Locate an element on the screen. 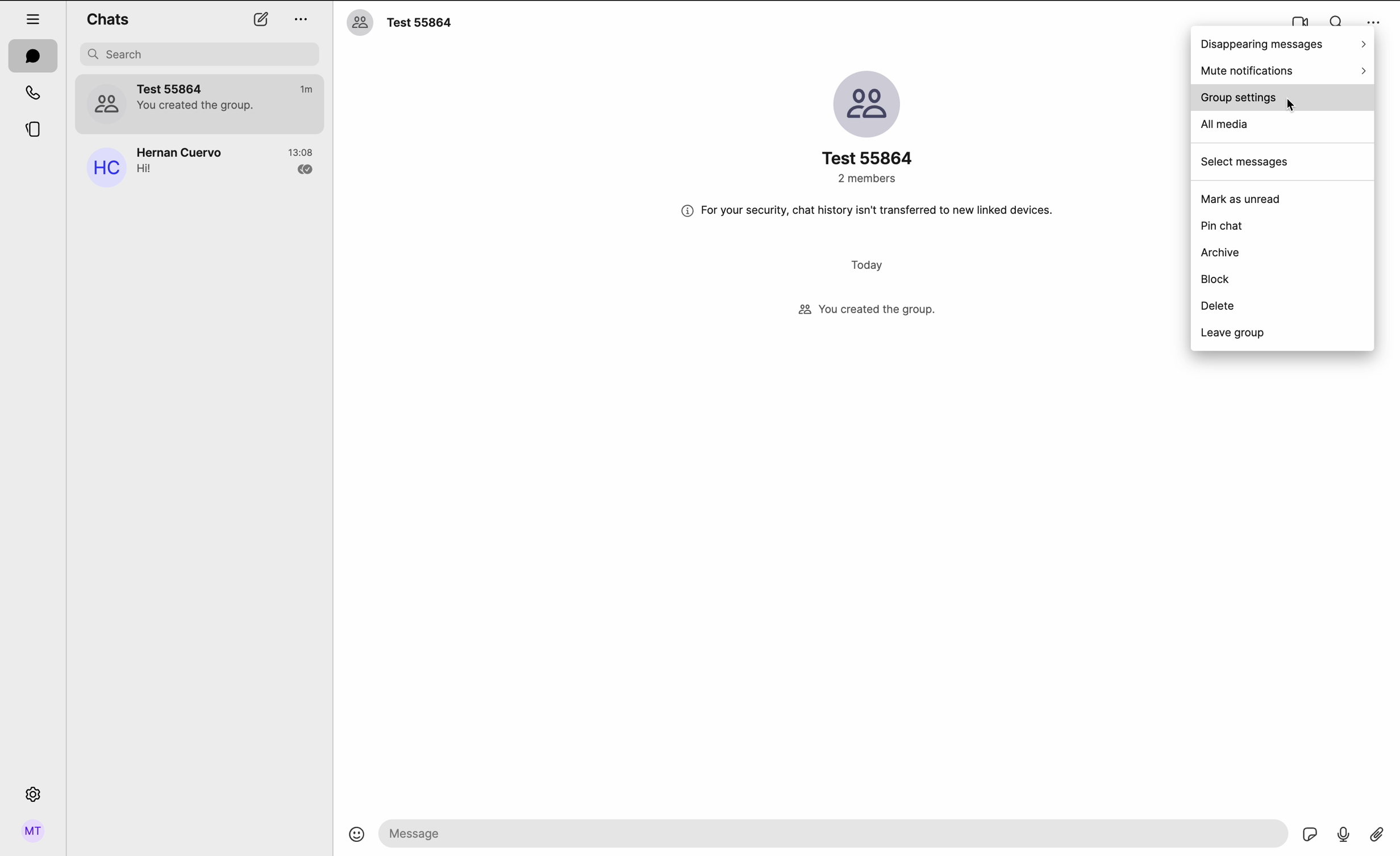 This screenshot has height=856, width=1400. today is located at coordinates (870, 266).